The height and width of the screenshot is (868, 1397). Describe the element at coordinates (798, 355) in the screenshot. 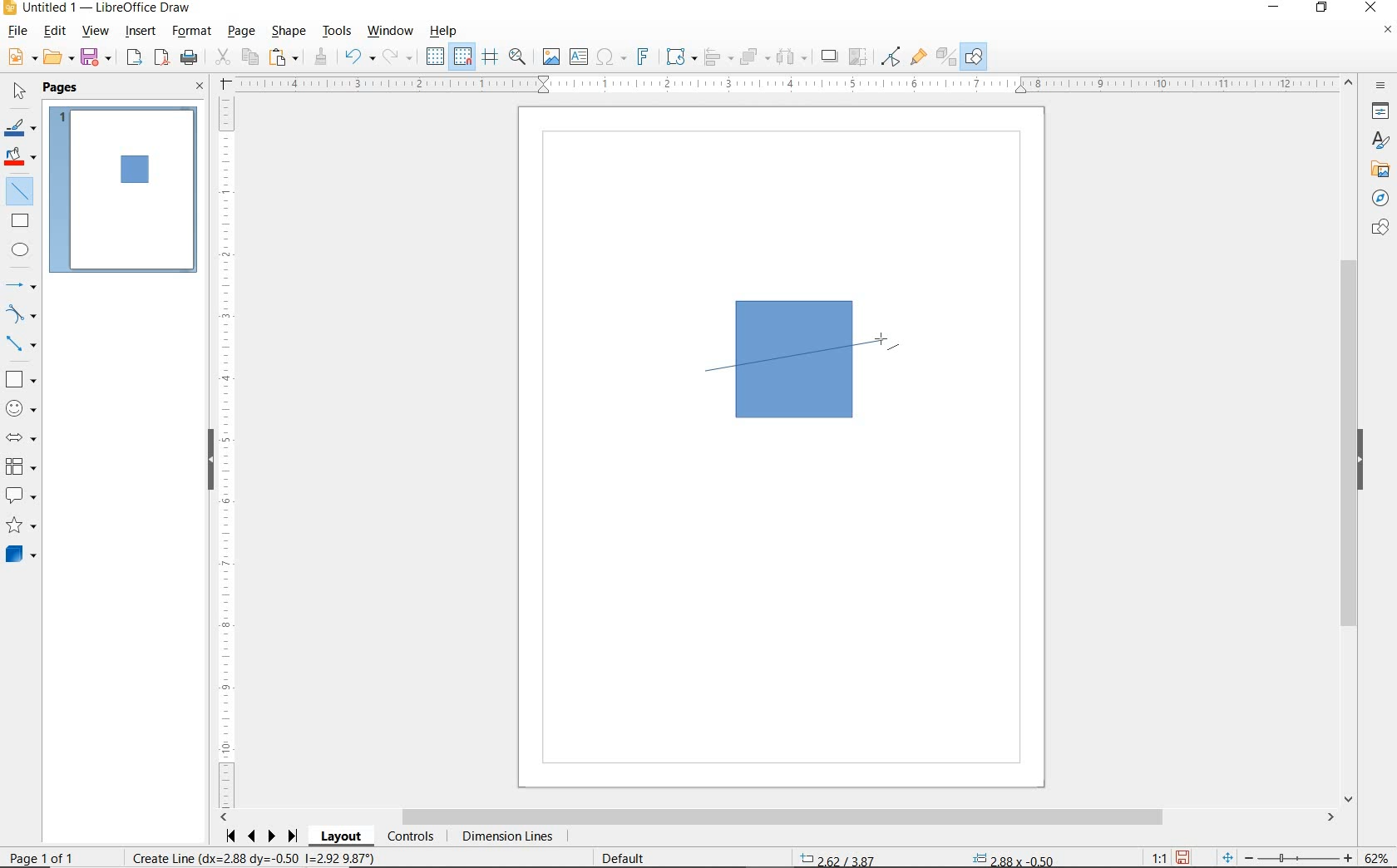

I see `DRAWING LINE` at that location.